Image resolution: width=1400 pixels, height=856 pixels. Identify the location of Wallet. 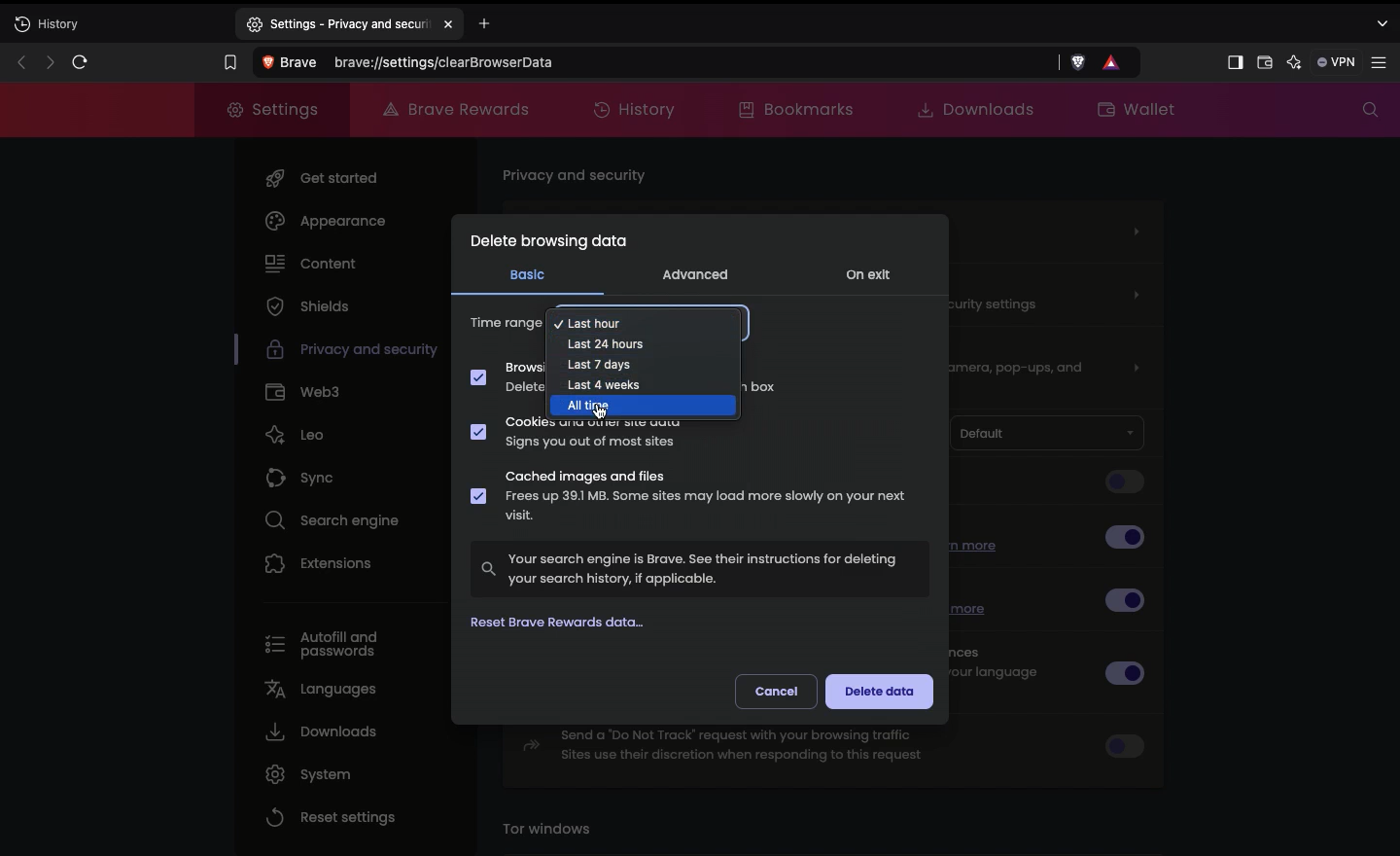
(1263, 64).